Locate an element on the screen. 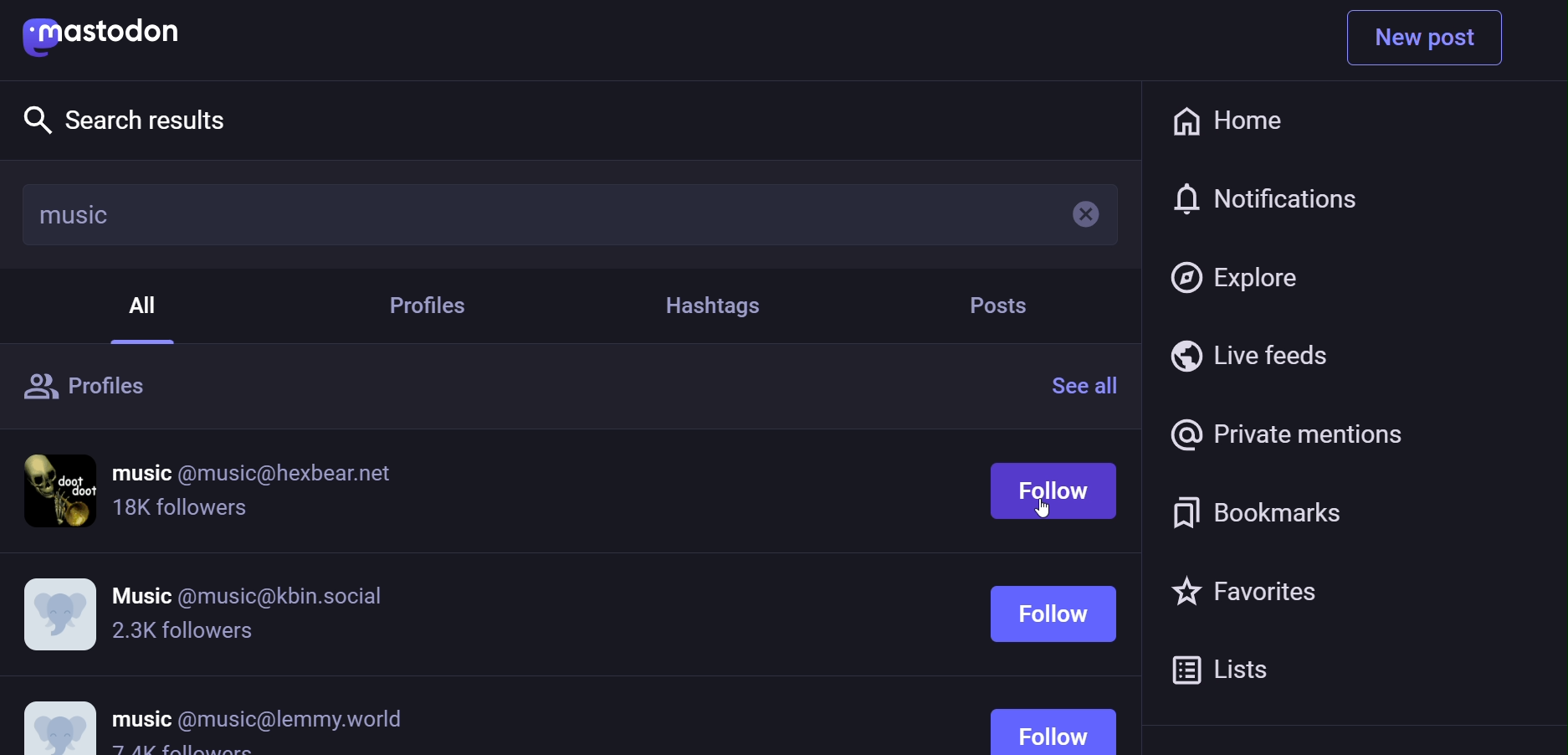 The width and height of the screenshot is (1568, 755). name is located at coordinates (255, 473).